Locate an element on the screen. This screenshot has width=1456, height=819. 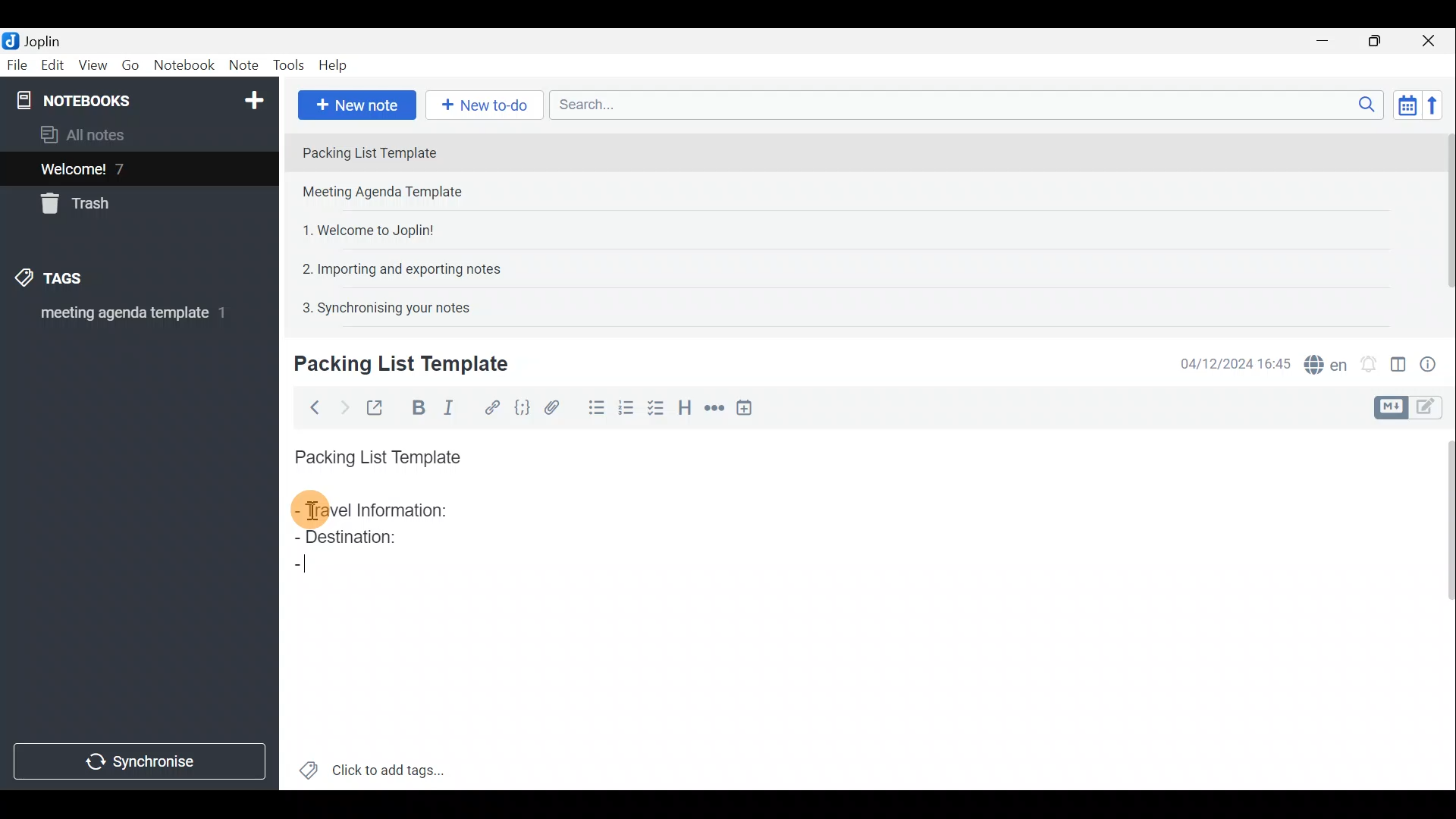
Synchronise is located at coordinates (142, 764).